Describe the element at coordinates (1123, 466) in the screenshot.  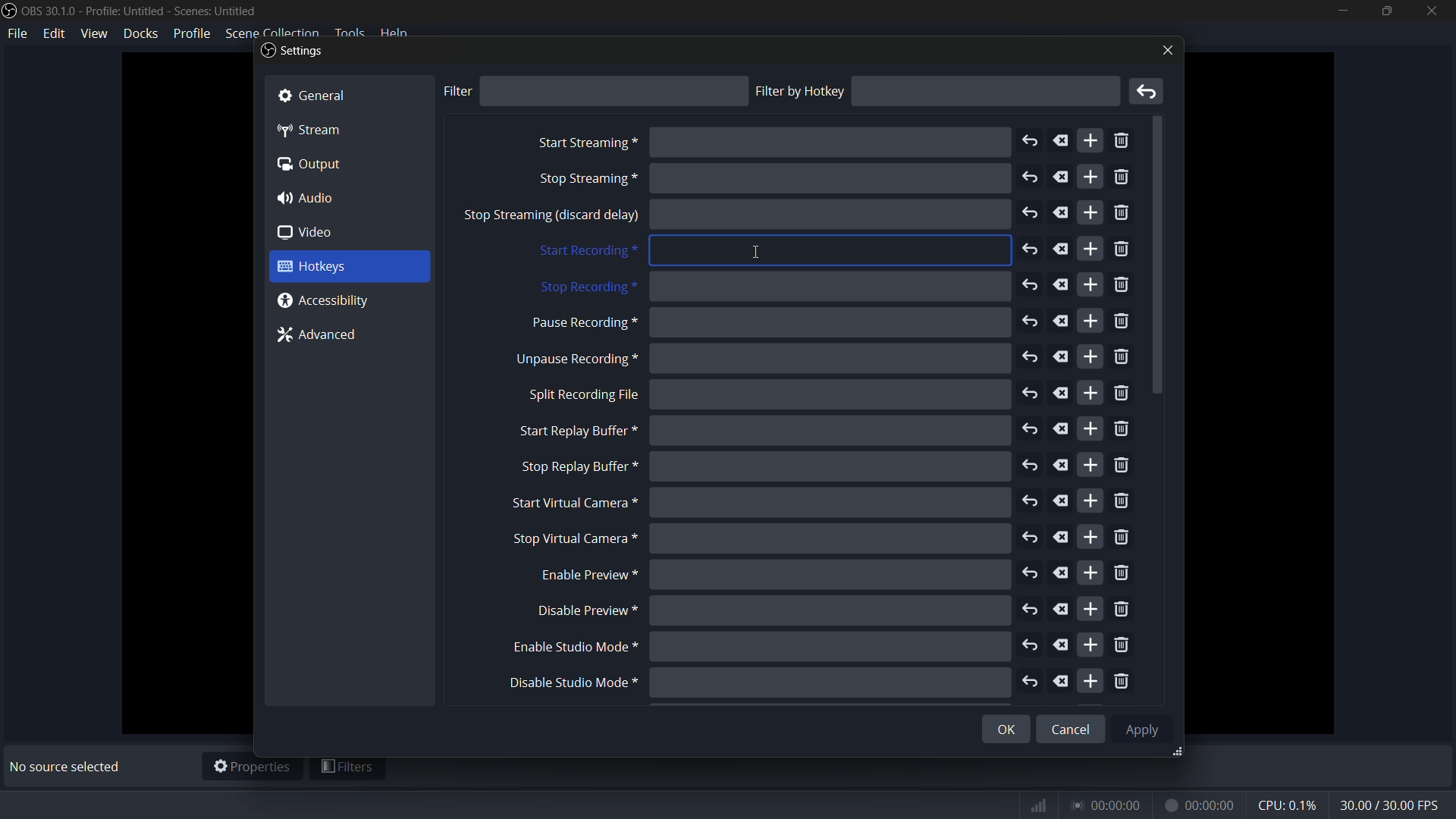
I see `remove` at that location.